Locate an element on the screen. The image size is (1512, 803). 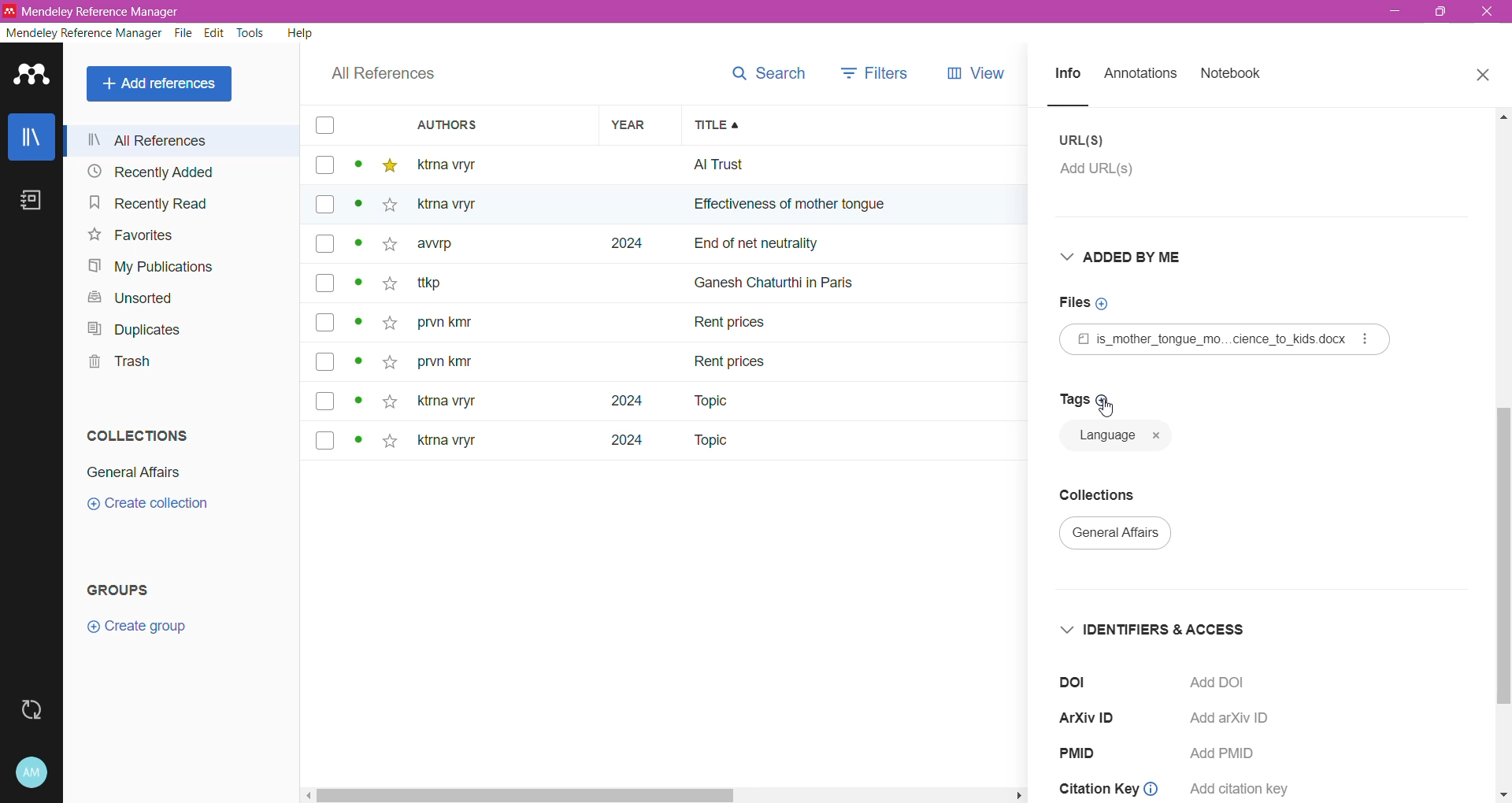
Edit is located at coordinates (216, 33).